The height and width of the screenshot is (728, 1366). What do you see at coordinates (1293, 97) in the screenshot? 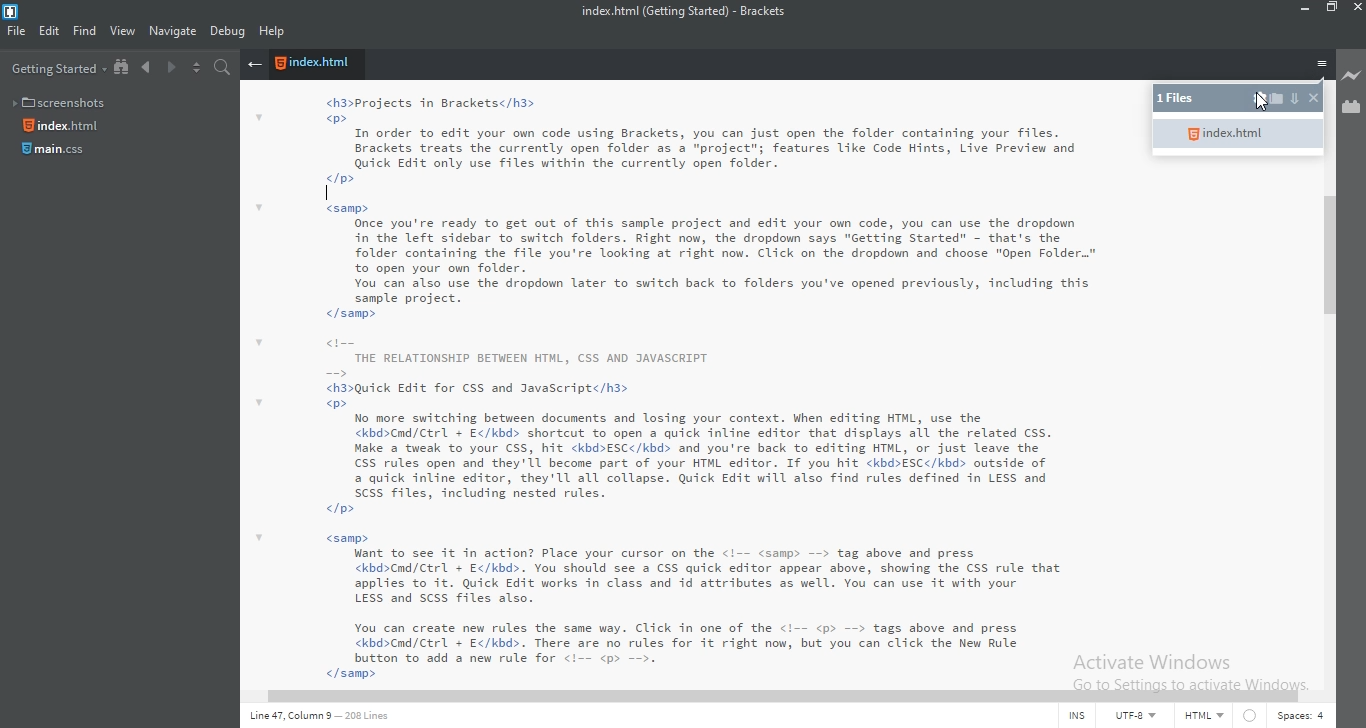
I see `down` at bounding box center [1293, 97].